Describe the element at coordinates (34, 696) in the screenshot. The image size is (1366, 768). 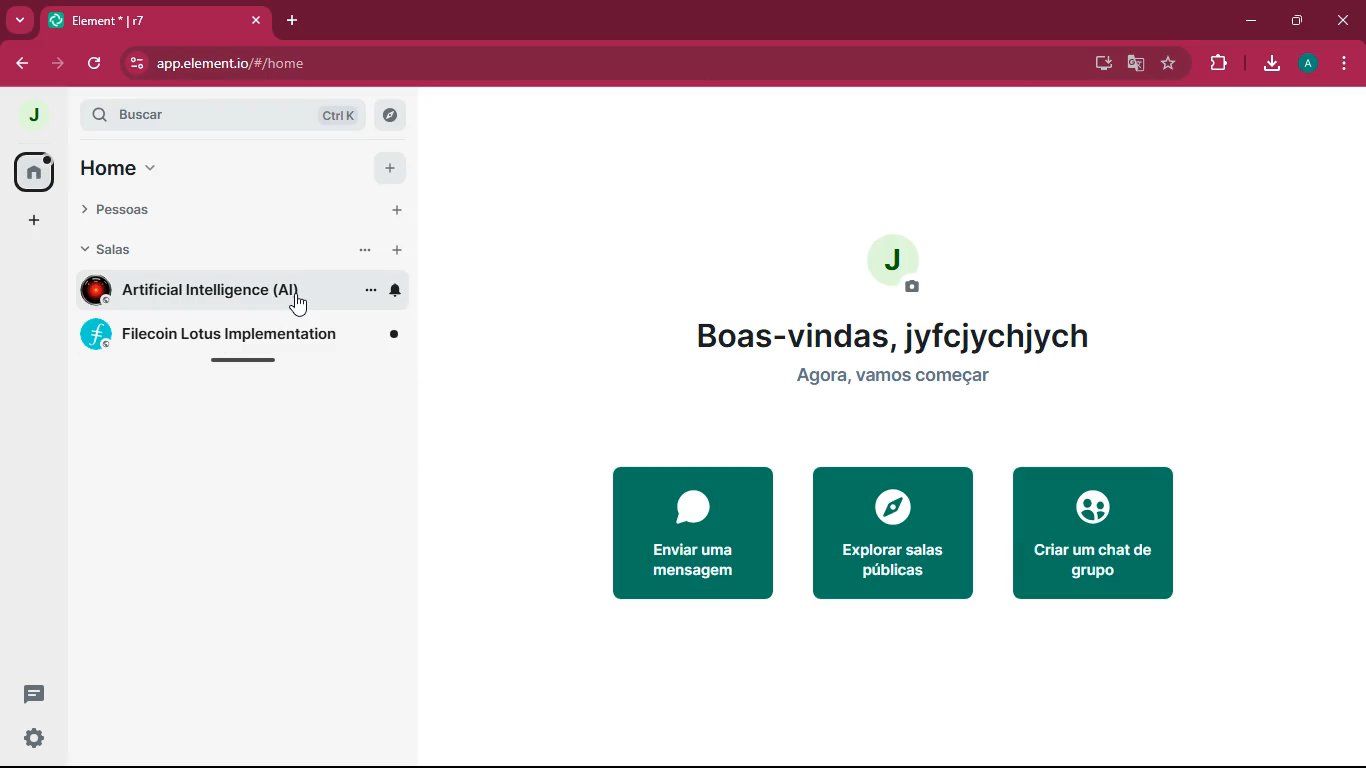
I see `new message` at that location.